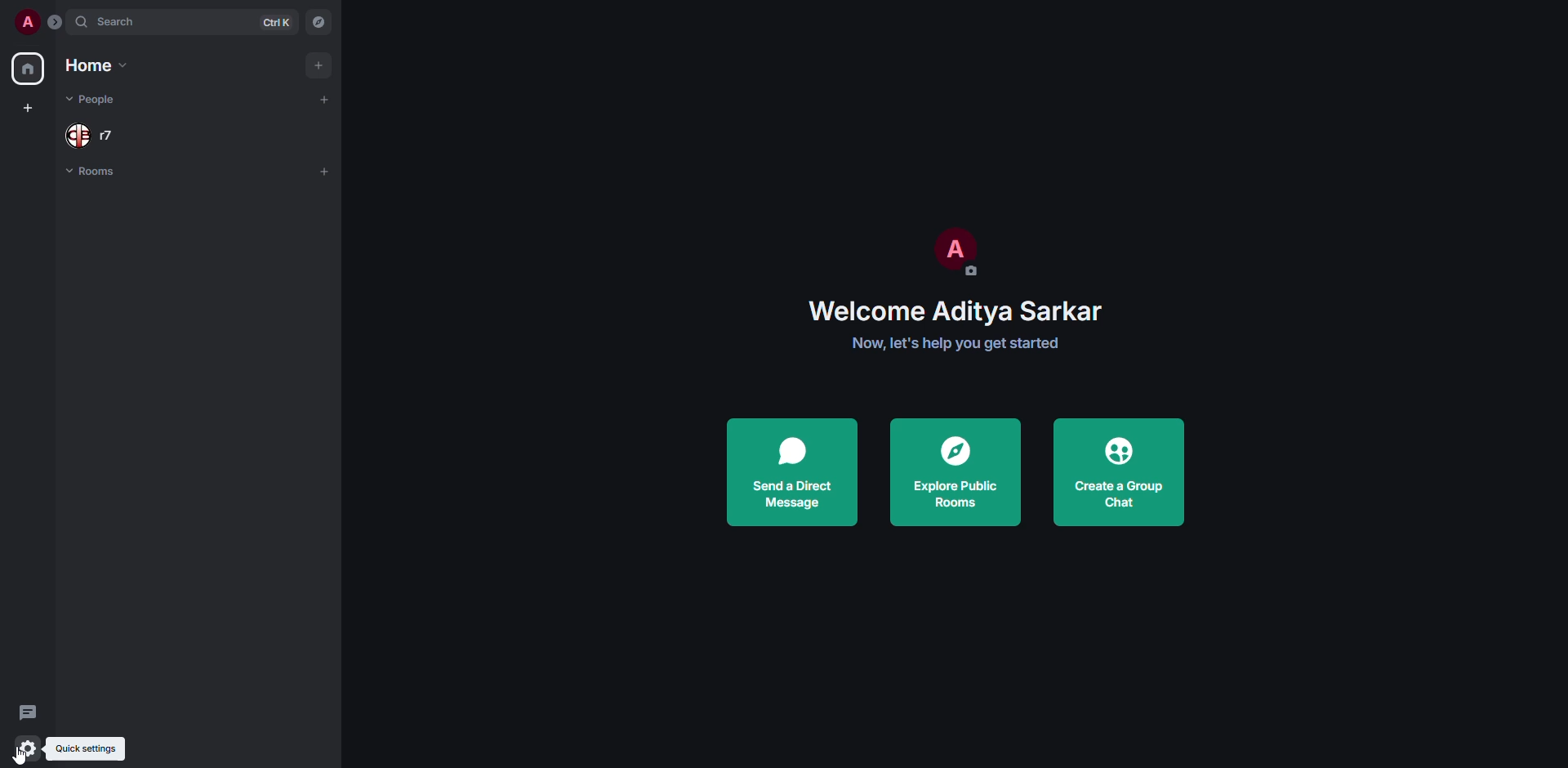 The height and width of the screenshot is (768, 1568). Describe the element at coordinates (329, 169) in the screenshot. I see `add` at that location.